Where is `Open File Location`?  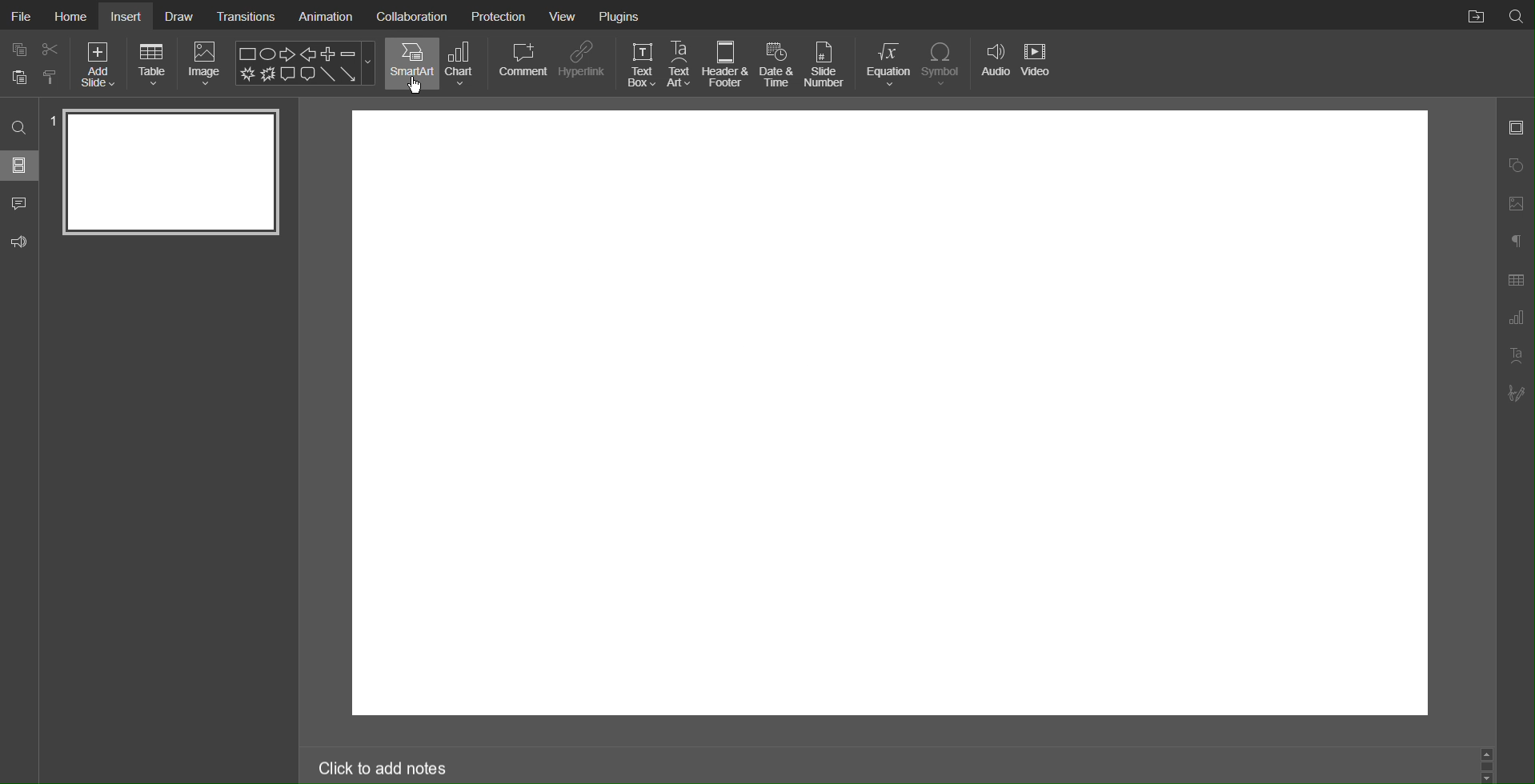
Open File Location is located at coordinates (1472, 14).